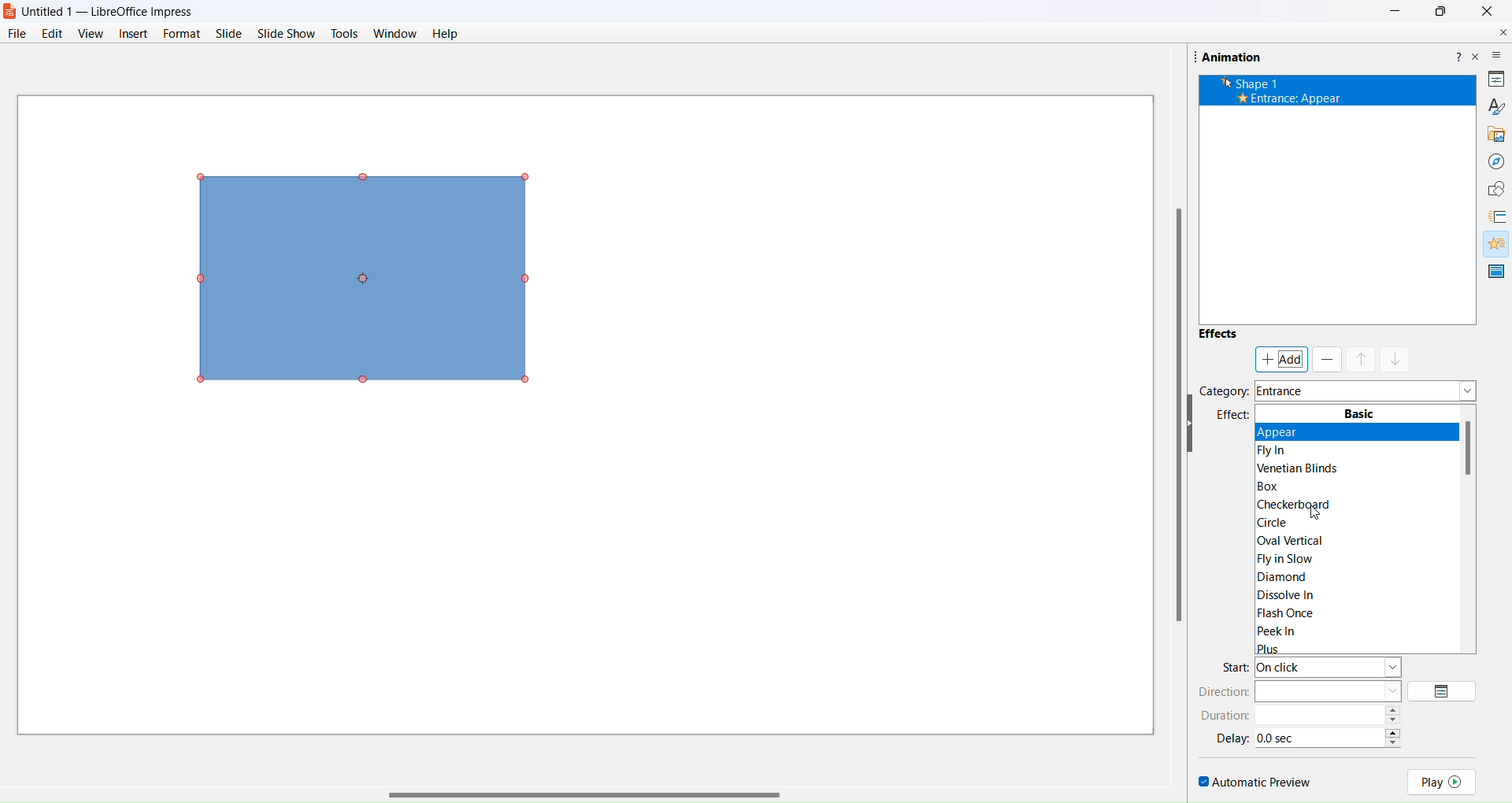 Image resolution: width=1512 pixels, height=803 pixels. Describe the element at coordinates (1367, 392) in the screenshot. I see `category dropdown` at that location.